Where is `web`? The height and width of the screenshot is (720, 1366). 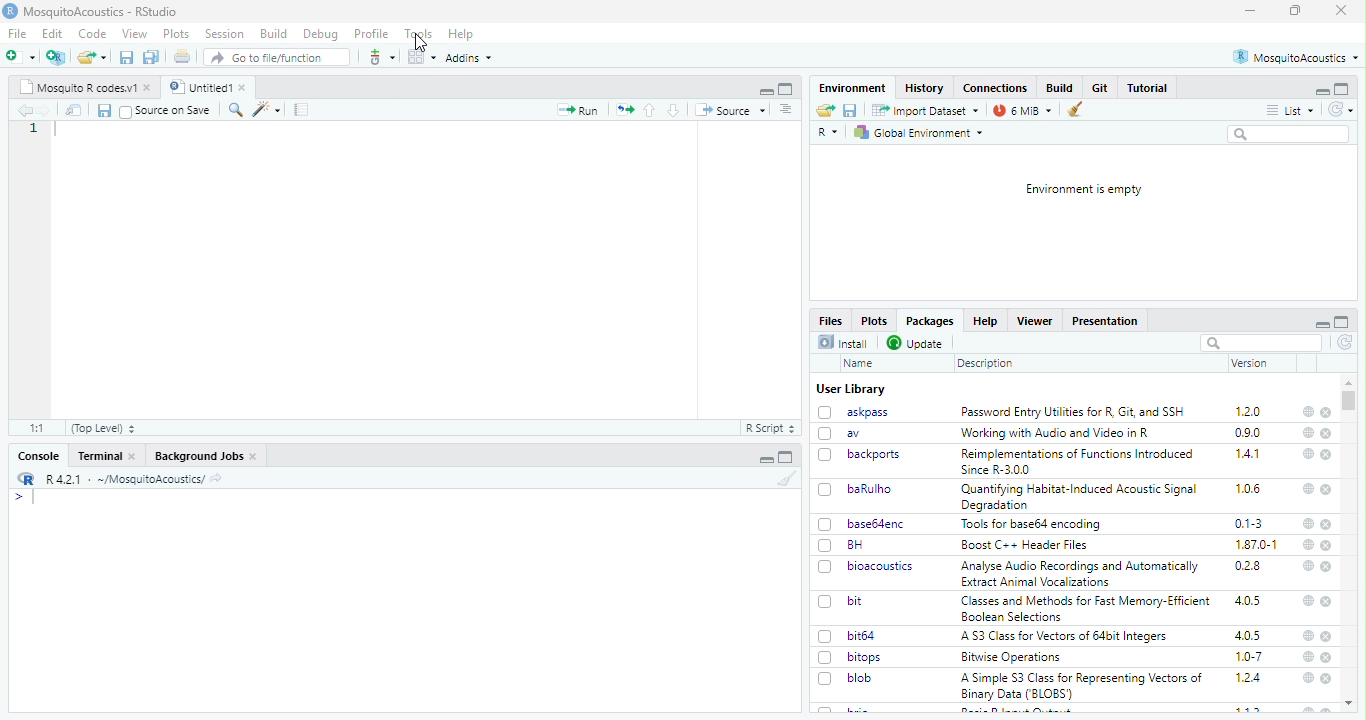
web is located at coordinates (1309, 412).